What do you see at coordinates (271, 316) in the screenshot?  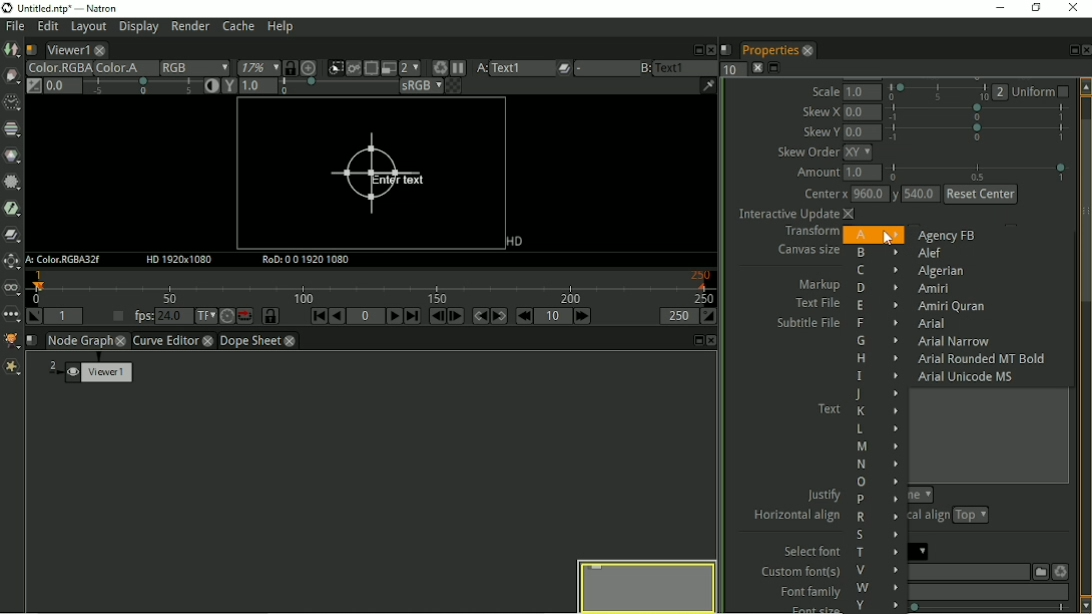 I see `Synchronize timeline frame` at bounding box center [271, 316].